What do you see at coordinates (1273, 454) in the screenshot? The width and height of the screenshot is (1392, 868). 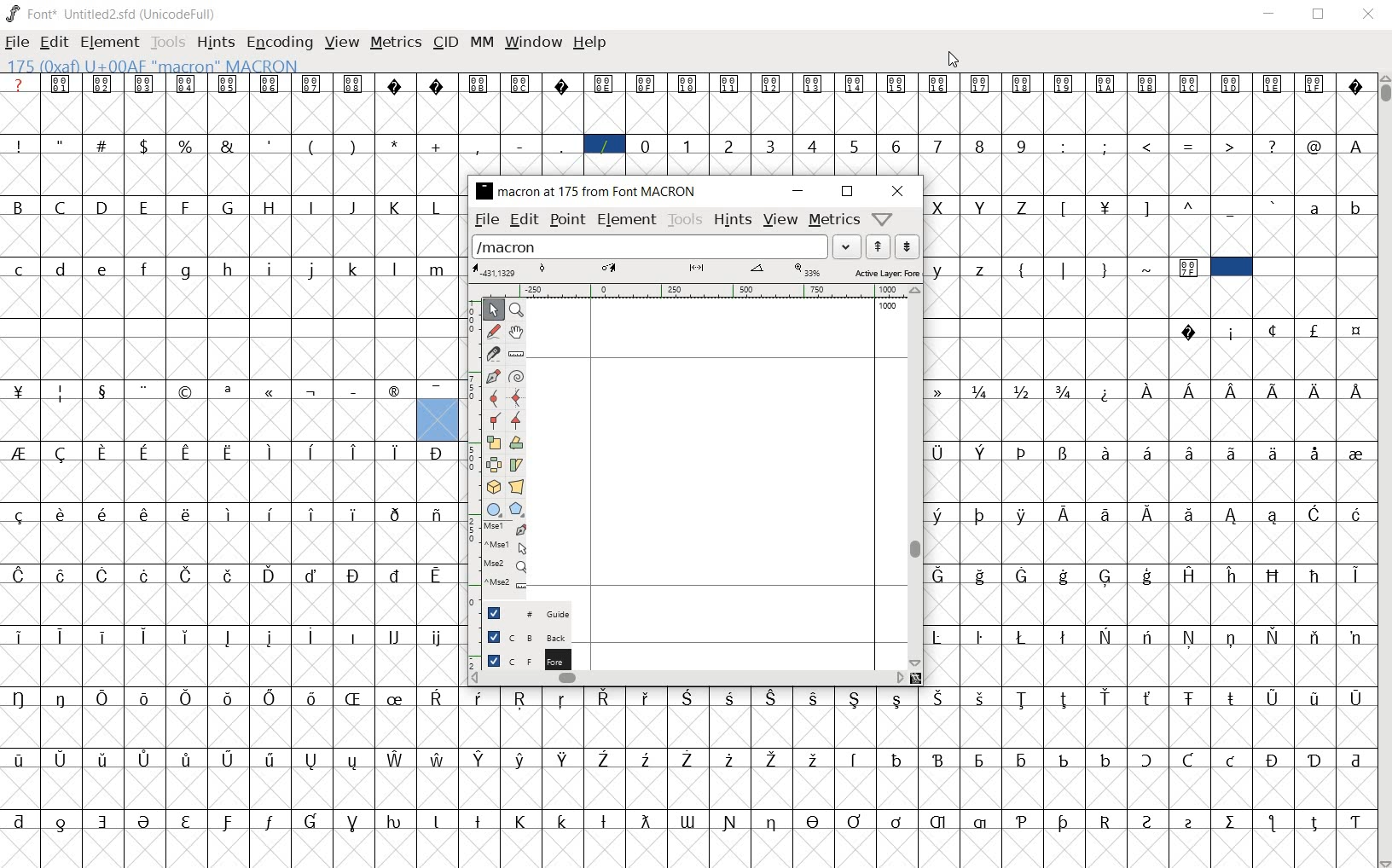 I see `Symbol` at bounding box center [1273, 454].